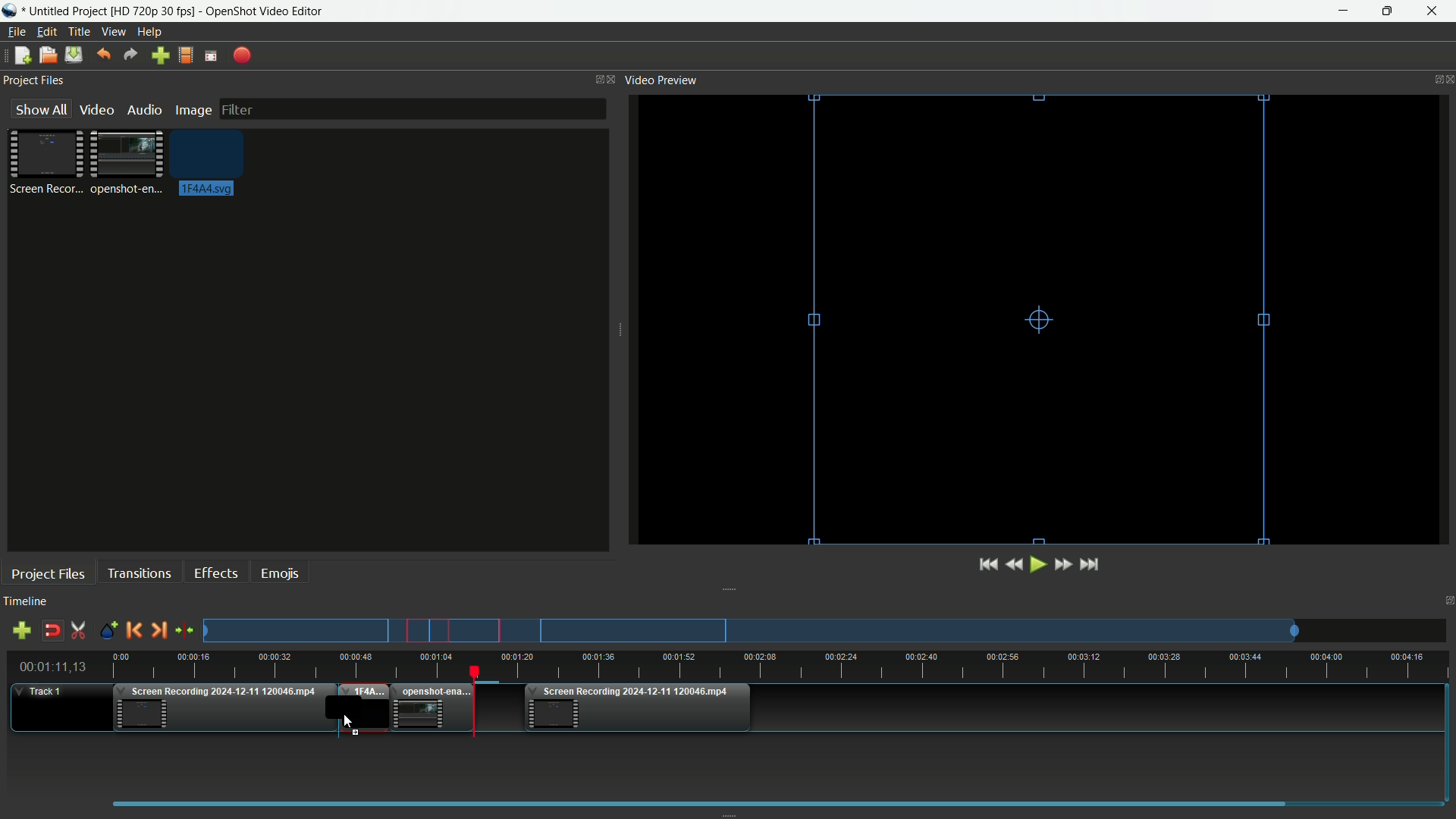 The width and height of the screenshot is (1456, 819). Describe the element at coordinates (133, 630) in the screenshot. I see `Previous marker` at that location.